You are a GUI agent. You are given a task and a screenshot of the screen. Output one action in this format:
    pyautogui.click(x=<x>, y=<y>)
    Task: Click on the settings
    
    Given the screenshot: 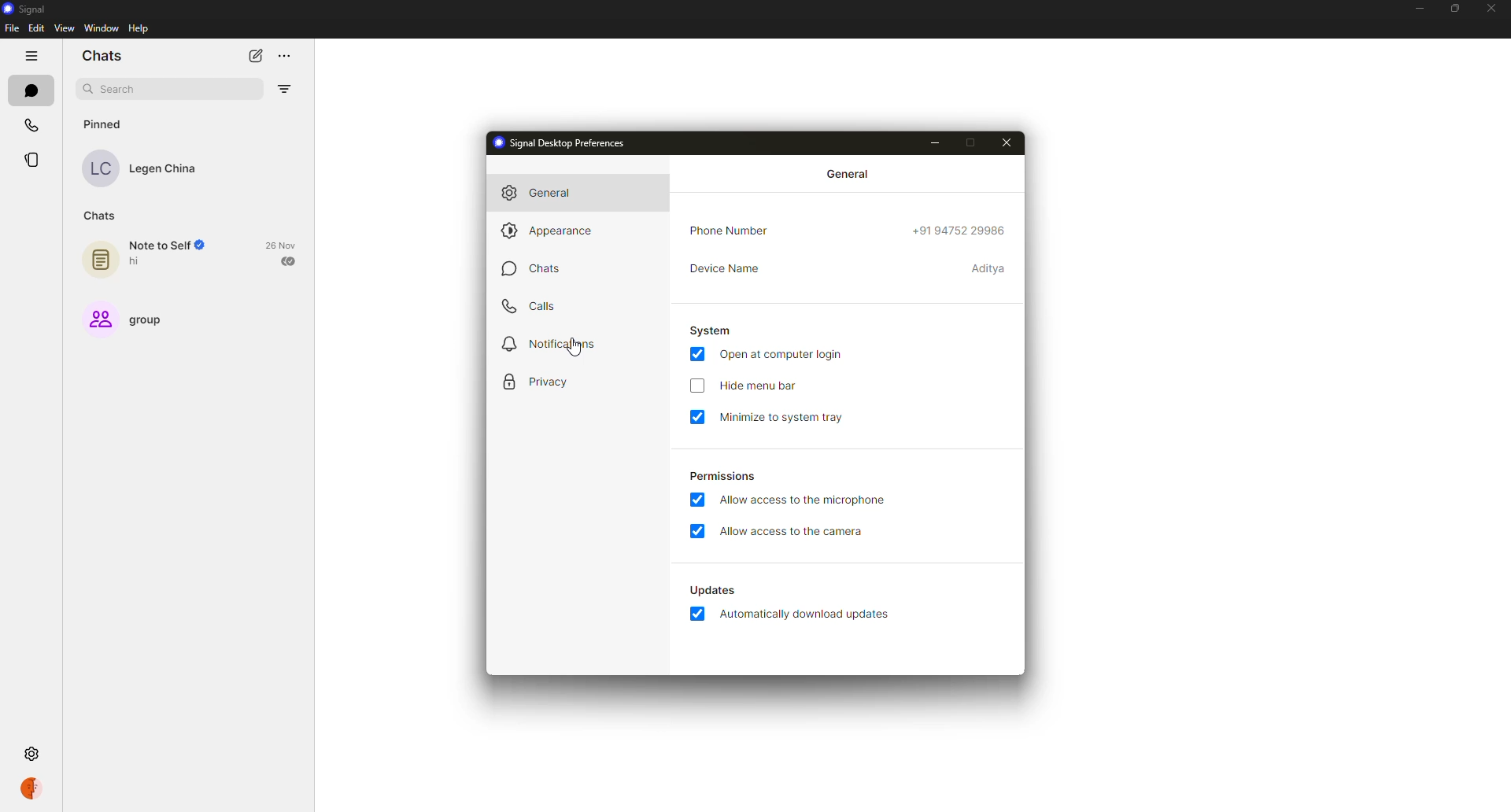 What is the action you would take?
    pyautogui.click(x=31, y=753)
    